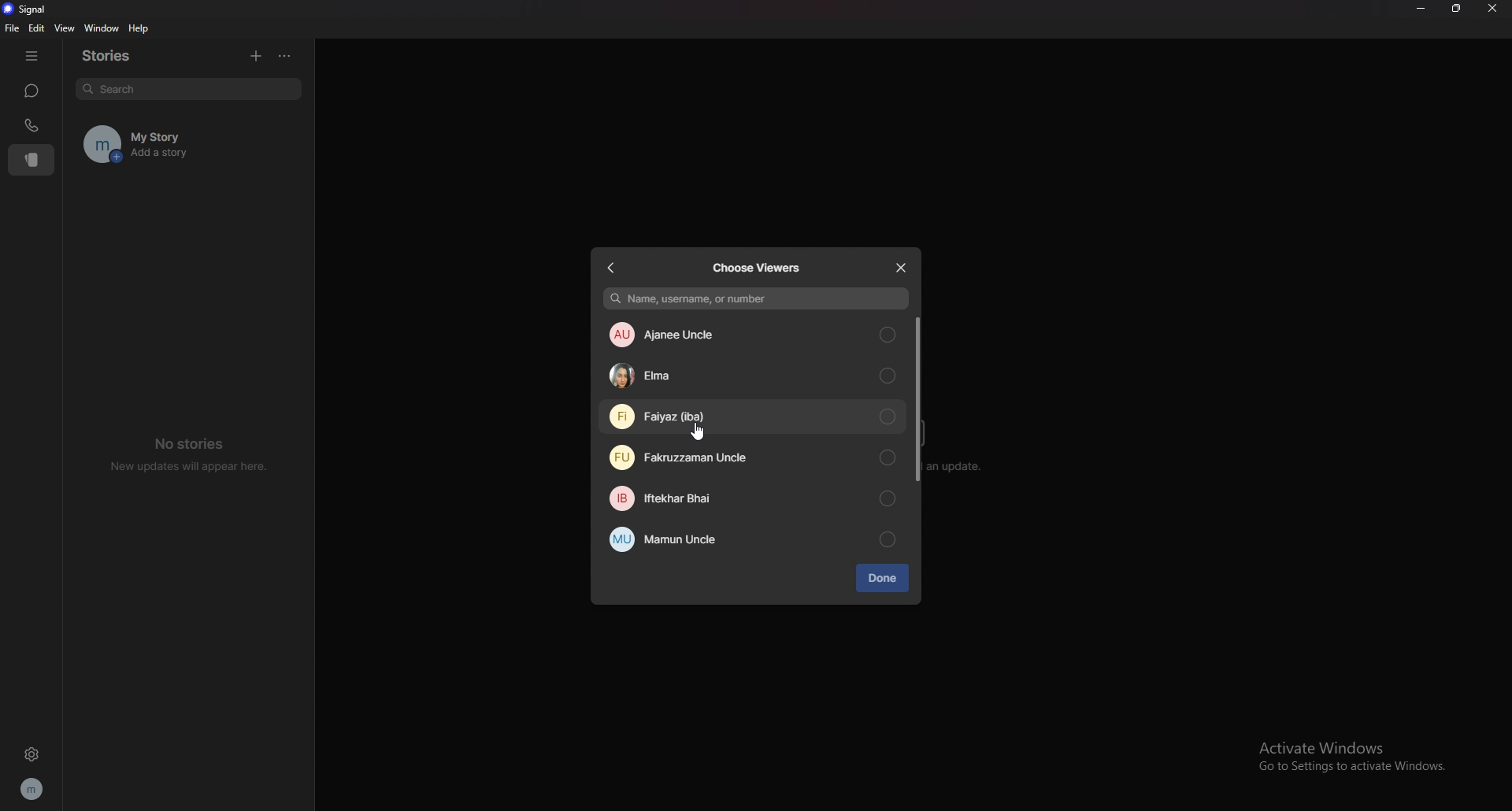 This screenshot has width=1512, height=811. What do you see at coordinates (752, 457) in the screenshot?
I see `fakruzzaman uncle` at bounding box center [752, 457].